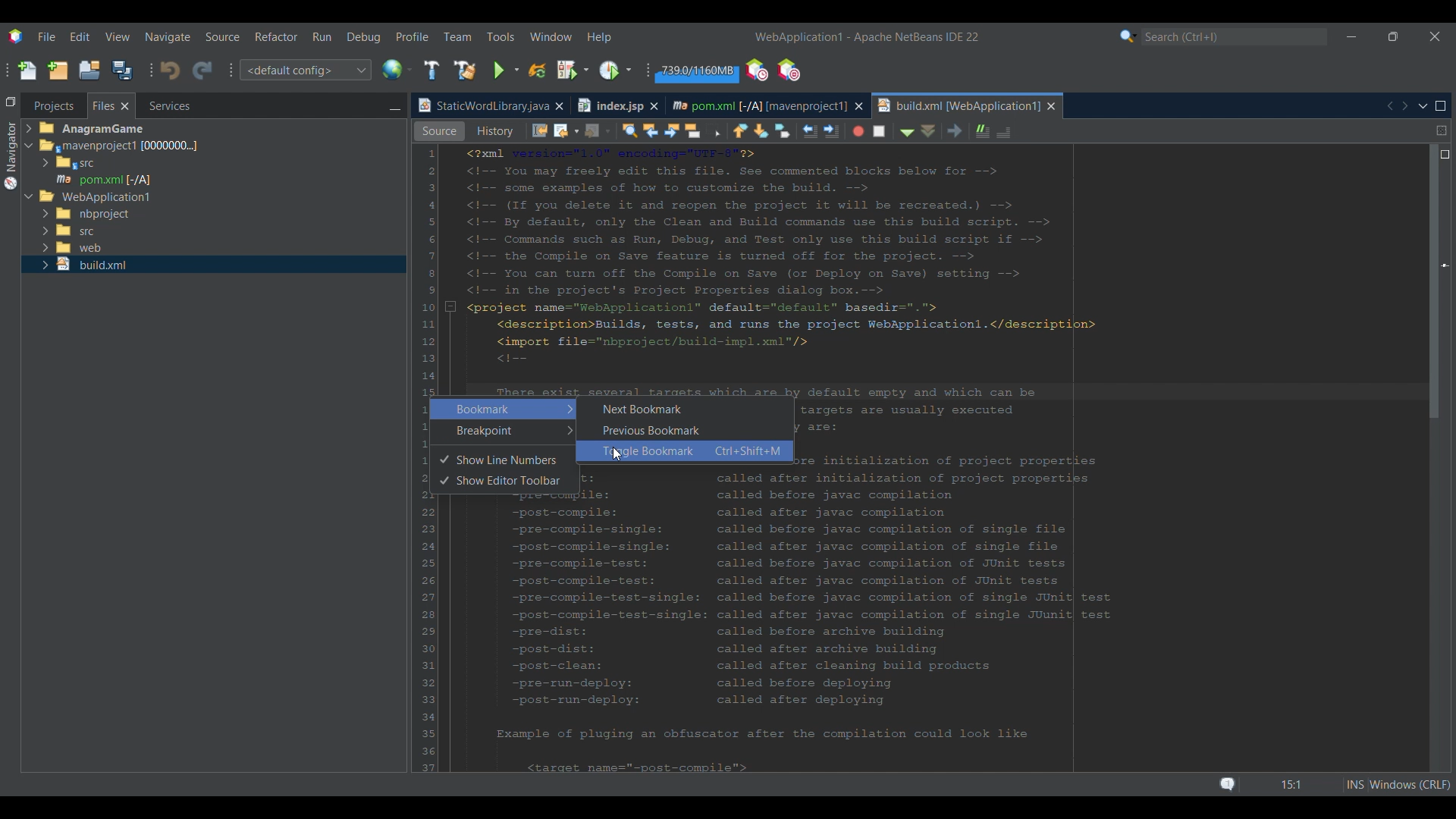  What do you see at coordinates (852, 132) in the screenshot?
I see `Toggle rectangular selection` at bounding box center [852, 132].